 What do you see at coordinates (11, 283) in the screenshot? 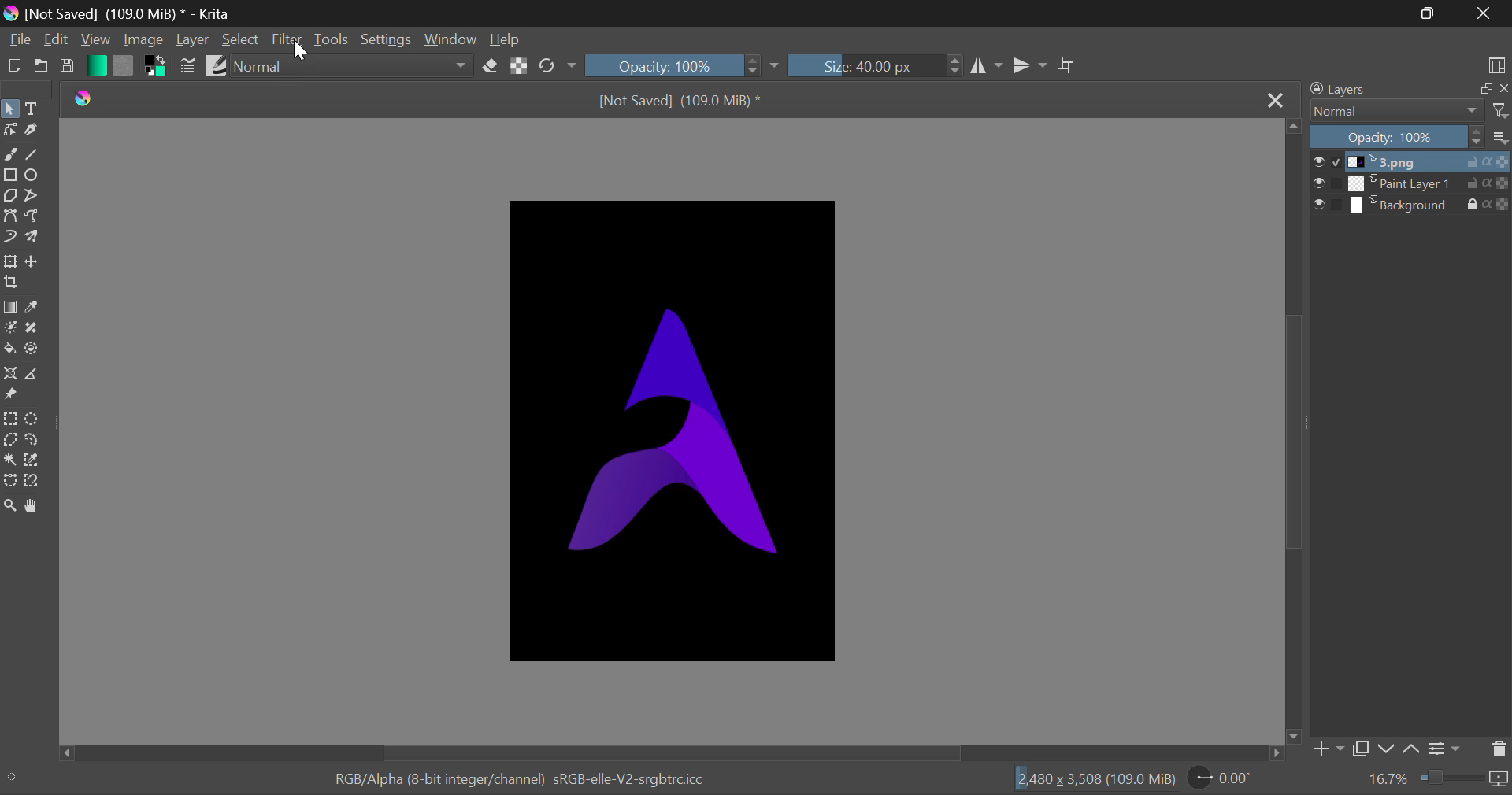
I see `Crop` at bounding box center [11, 283].